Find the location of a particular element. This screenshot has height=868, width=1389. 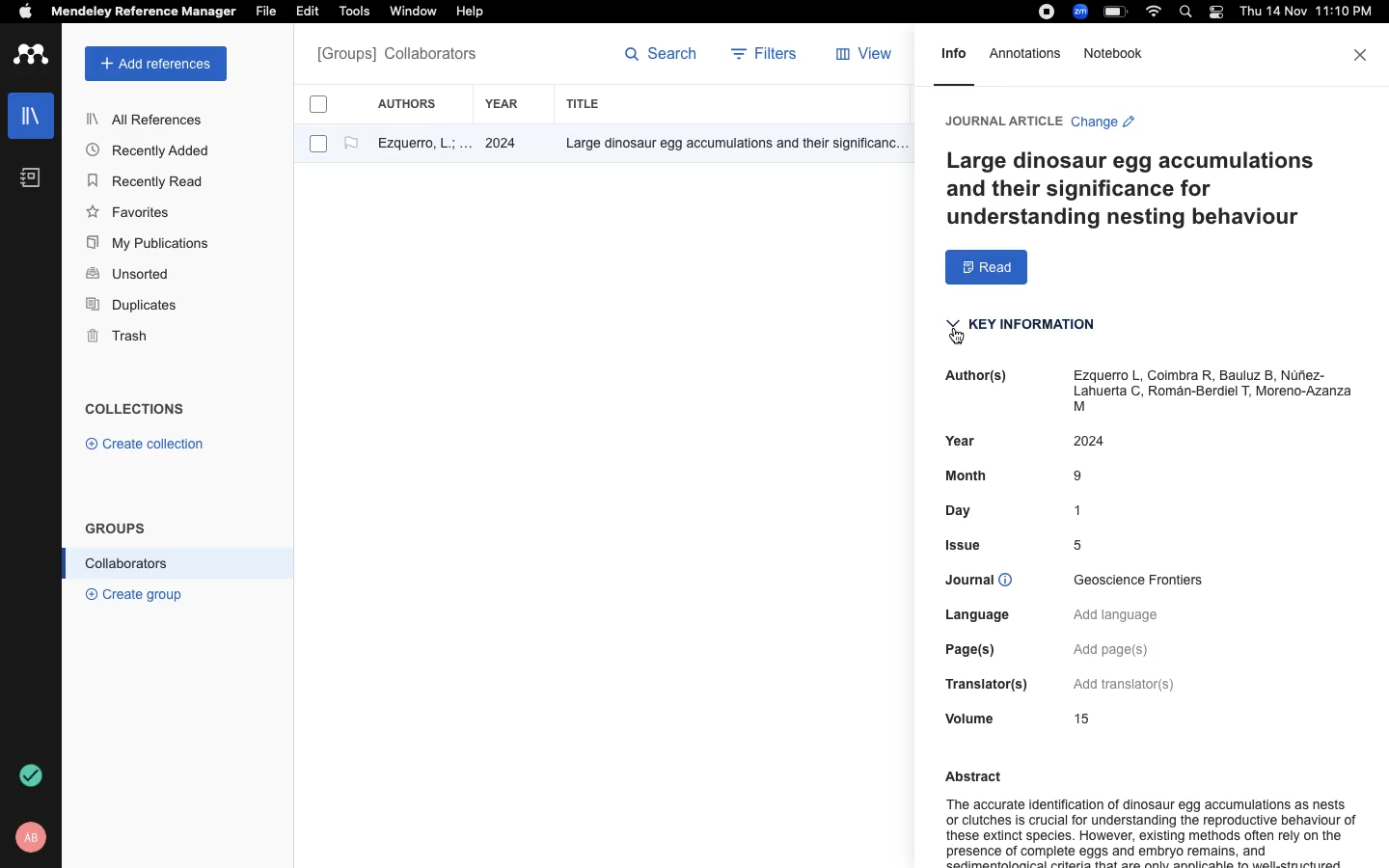

JOURNAL ARTICLE is located at coordinates (1001, 121).